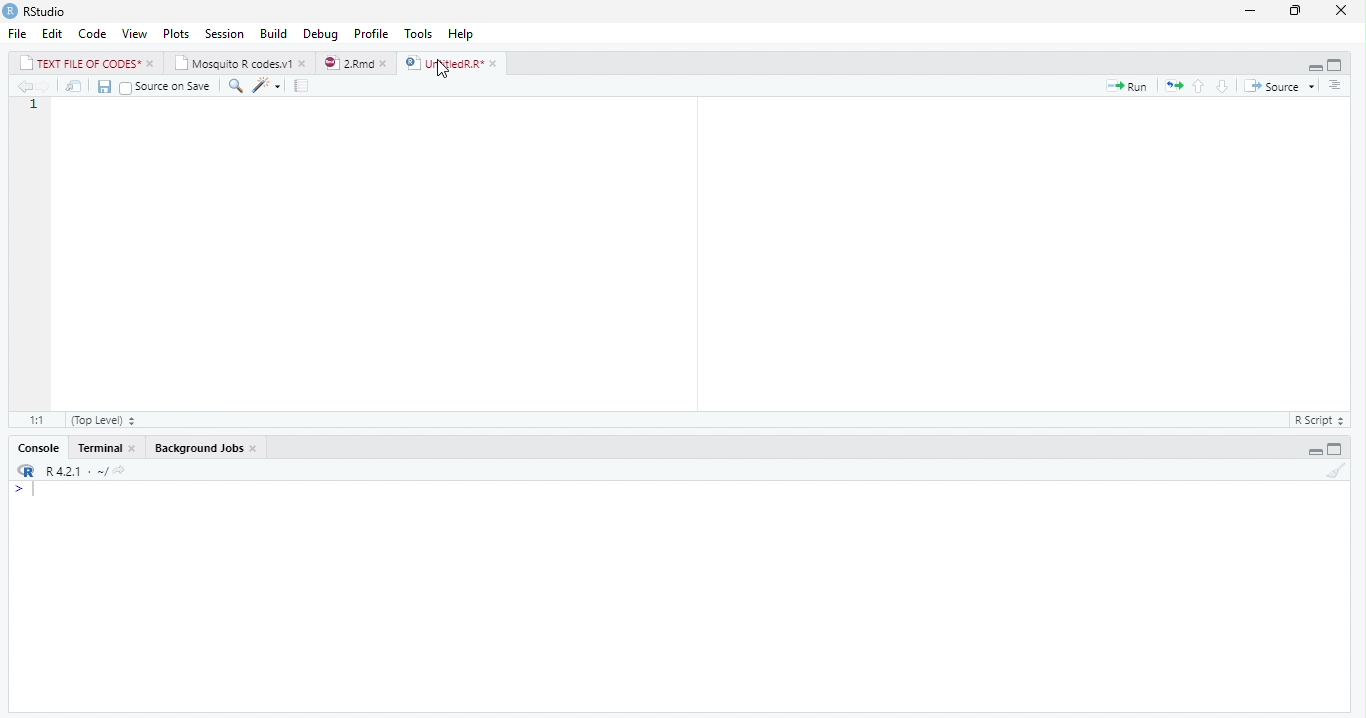 The height and width of the screenshot is (718, 1366). I want to click on Clear, so click(1334, 470).